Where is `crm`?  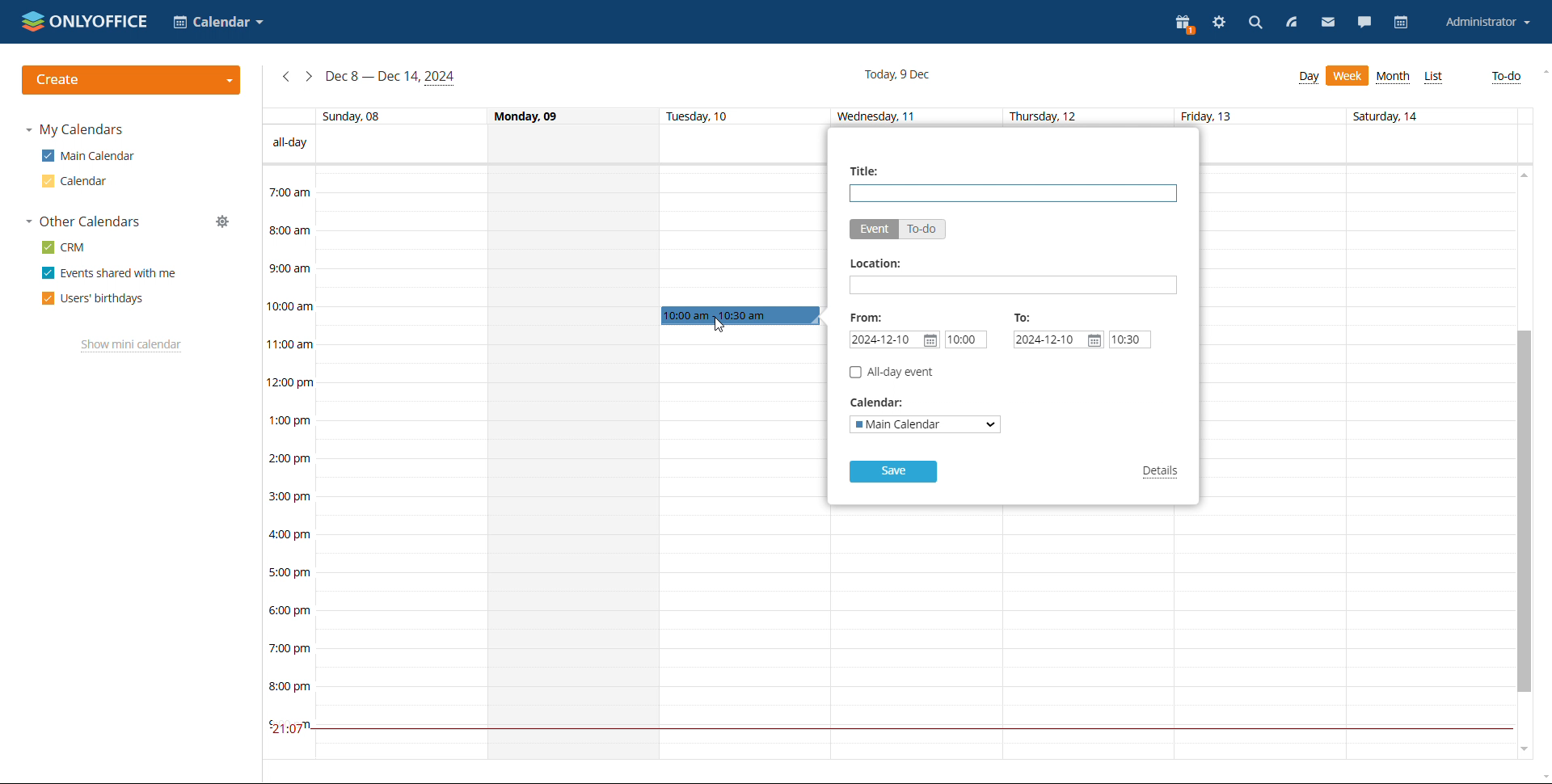 crm is located at coordinates (65, 247).